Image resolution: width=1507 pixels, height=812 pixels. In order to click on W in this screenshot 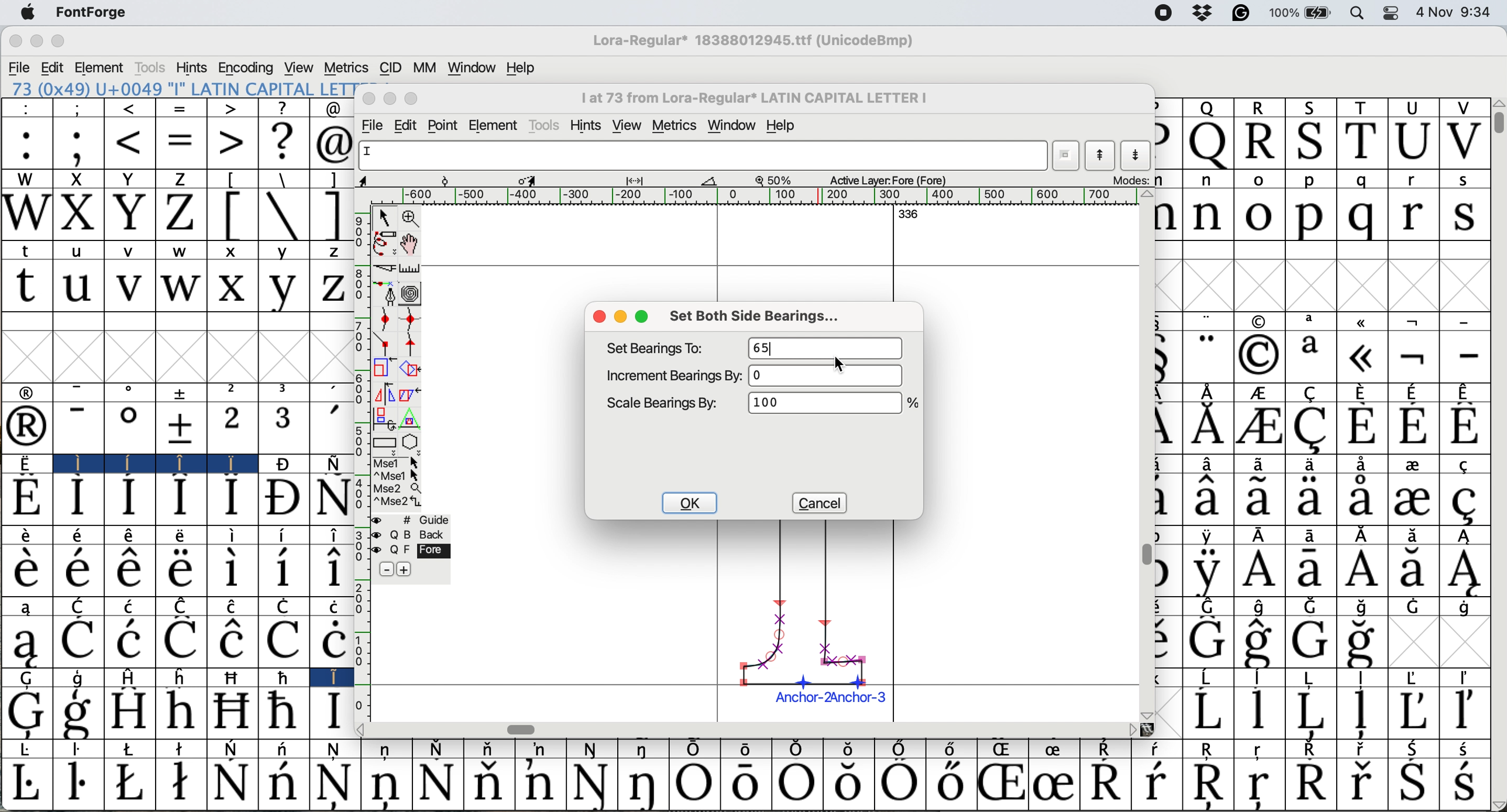, I will do `click(26, 215)`.